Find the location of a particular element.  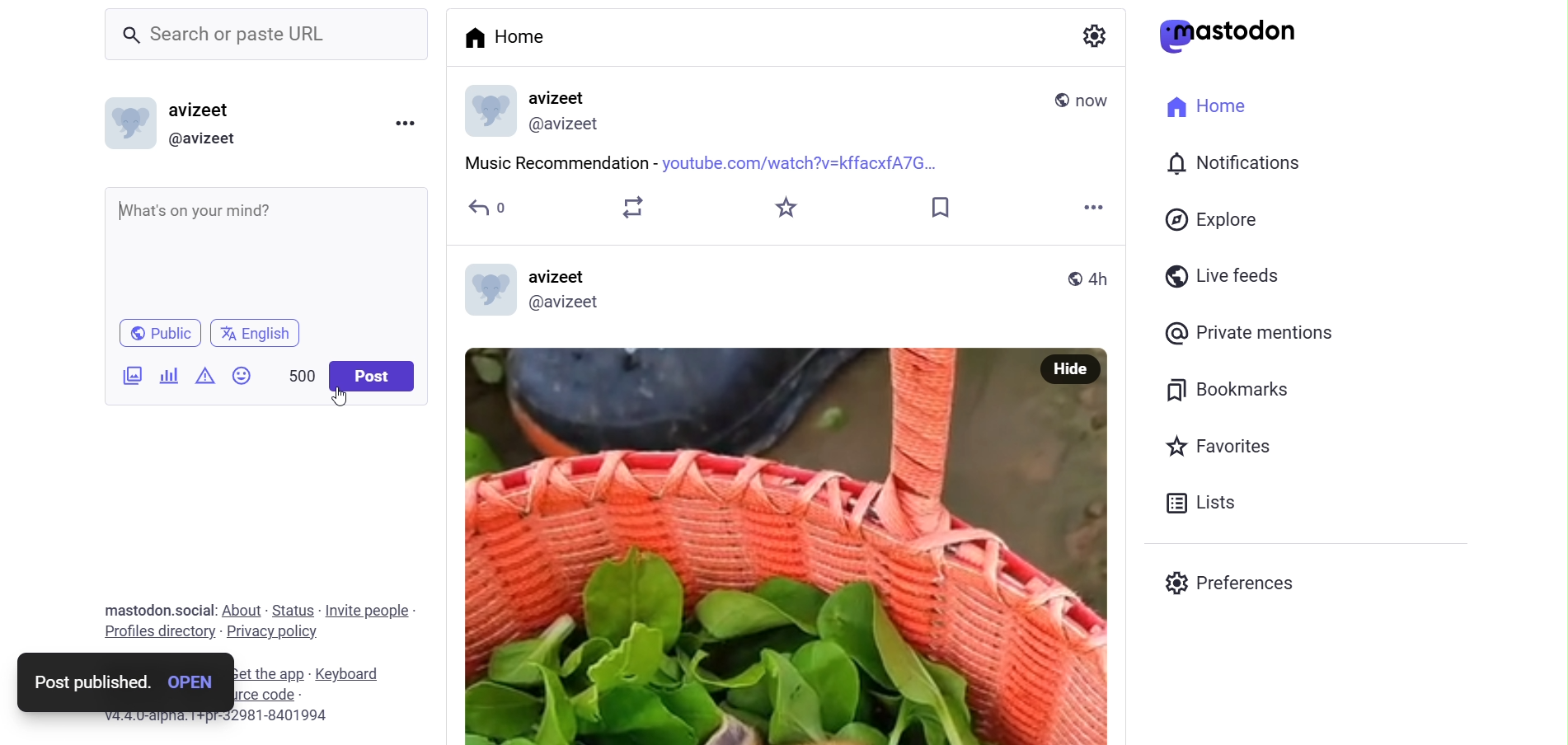

Notification is located at coordinates (1235, 160).